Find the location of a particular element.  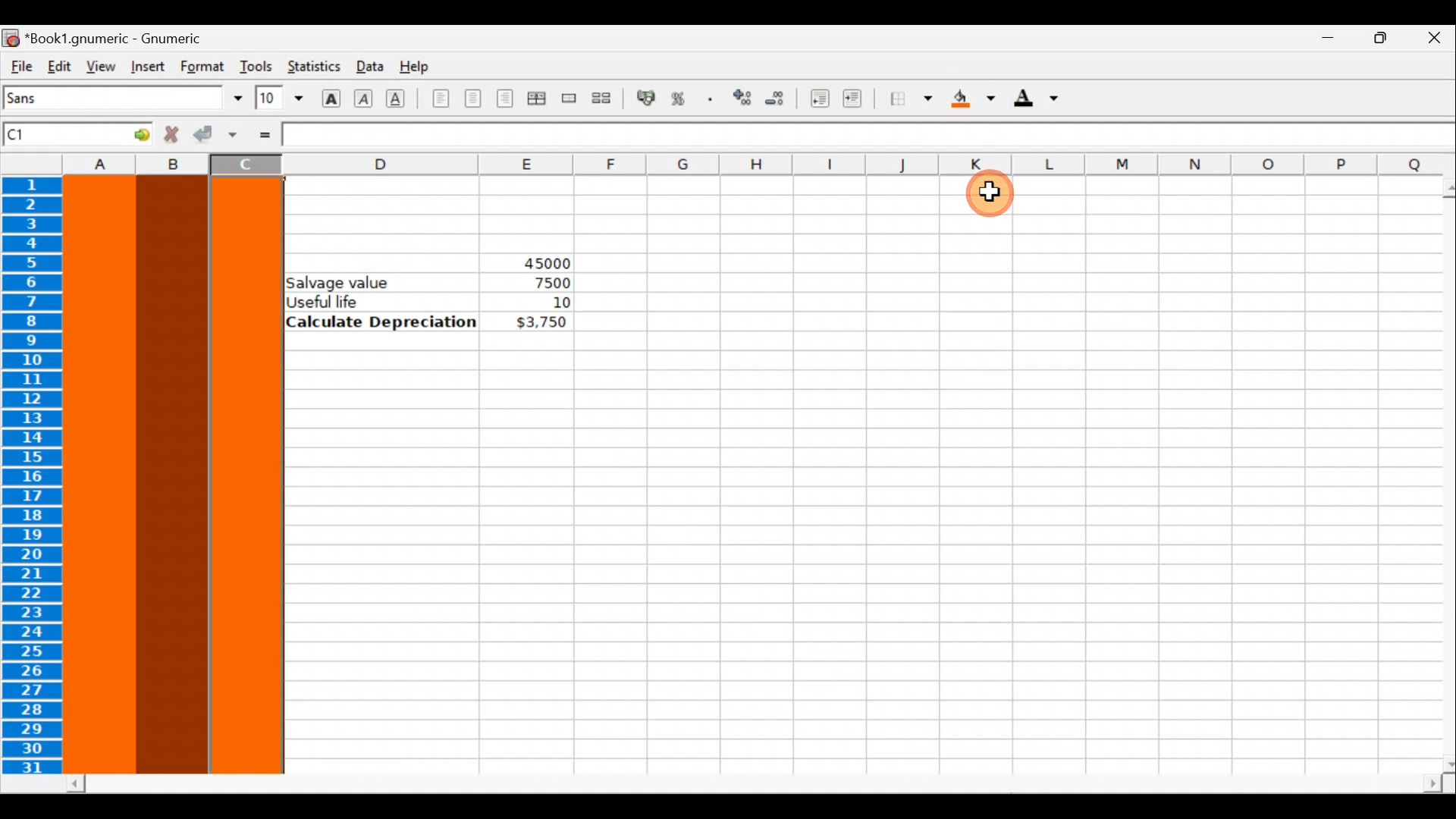

Increase the number of decimals is located at coordinates (741, 99).